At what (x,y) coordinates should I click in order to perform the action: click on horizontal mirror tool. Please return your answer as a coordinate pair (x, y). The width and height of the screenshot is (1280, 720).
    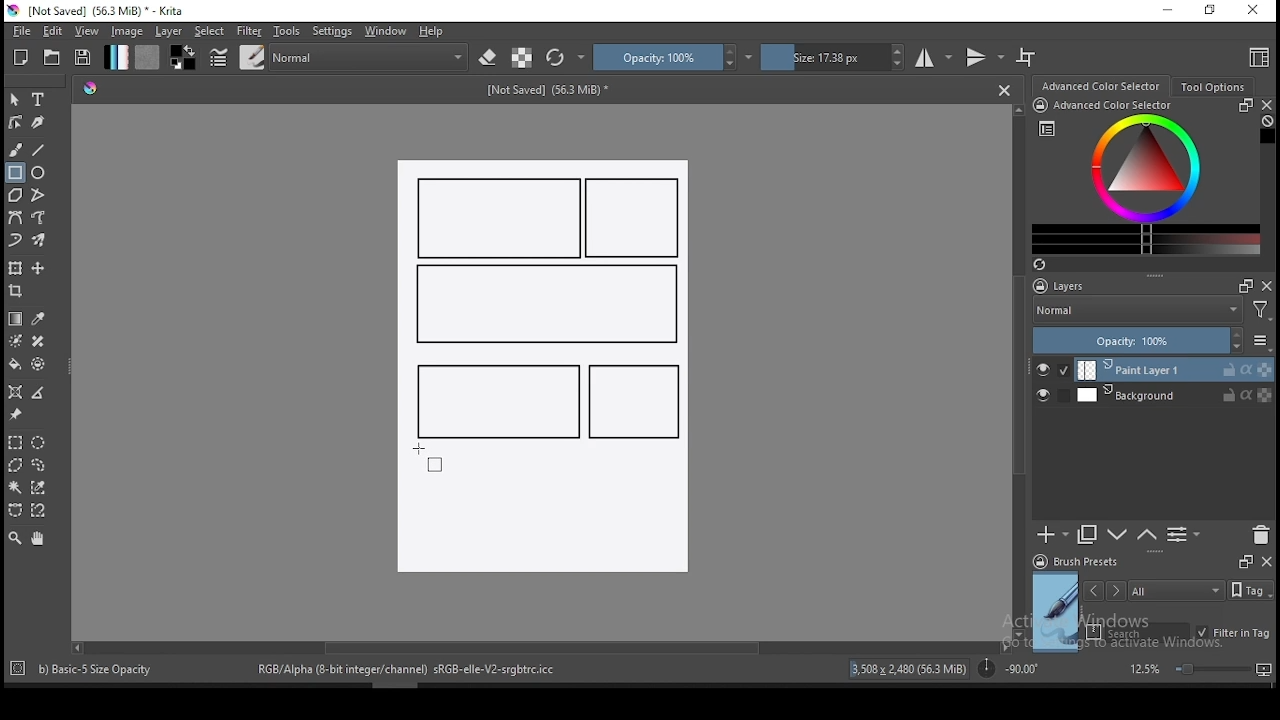
    Looking at the image, I should click on (934, 57).